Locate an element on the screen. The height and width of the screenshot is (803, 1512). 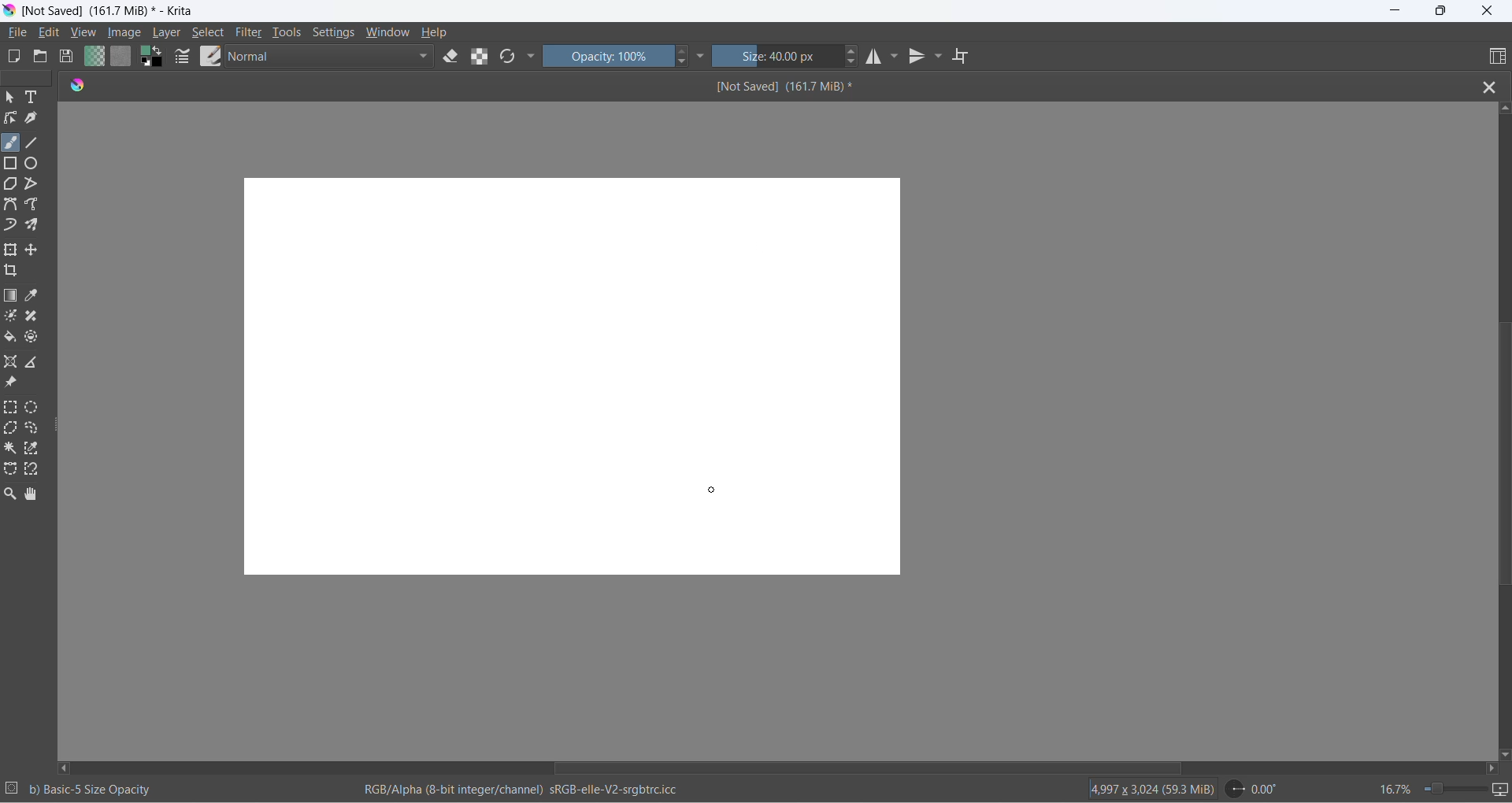
dynamic brush tool is located at coordinates (12, 226).